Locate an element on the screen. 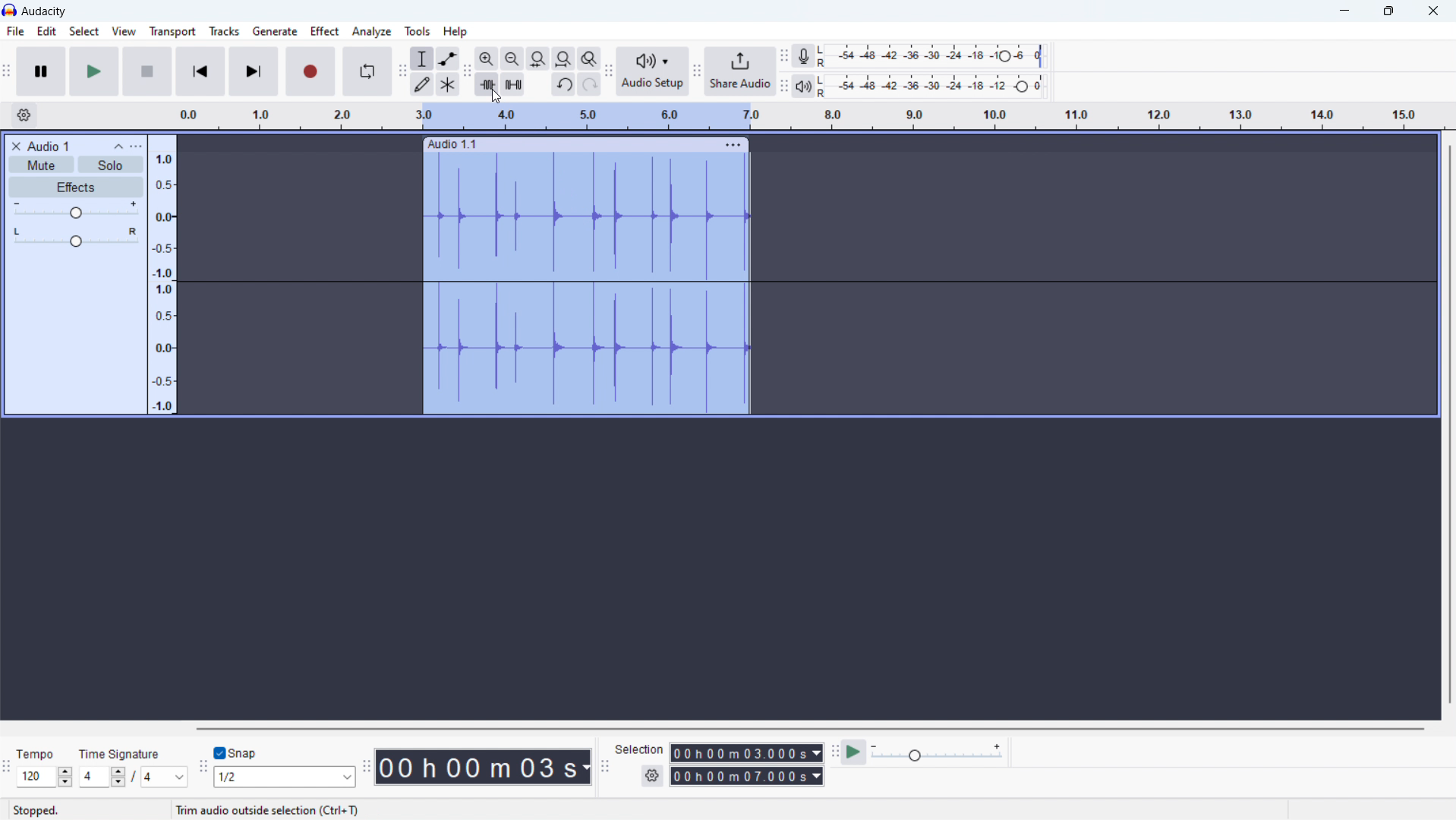  skip to end is located at coordinates (254, 71).